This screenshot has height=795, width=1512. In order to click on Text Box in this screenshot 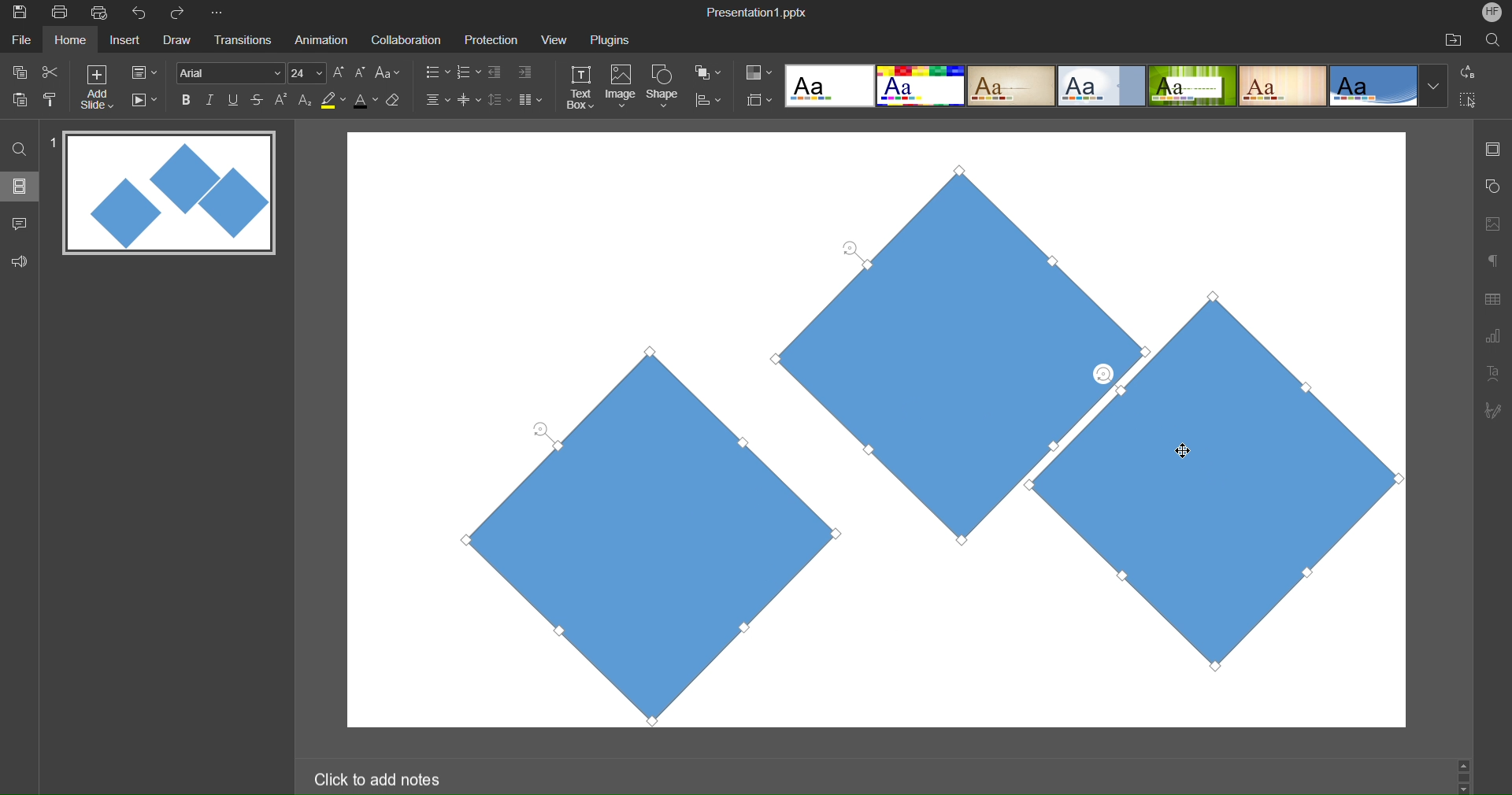, I will do `click(582, 87)`.